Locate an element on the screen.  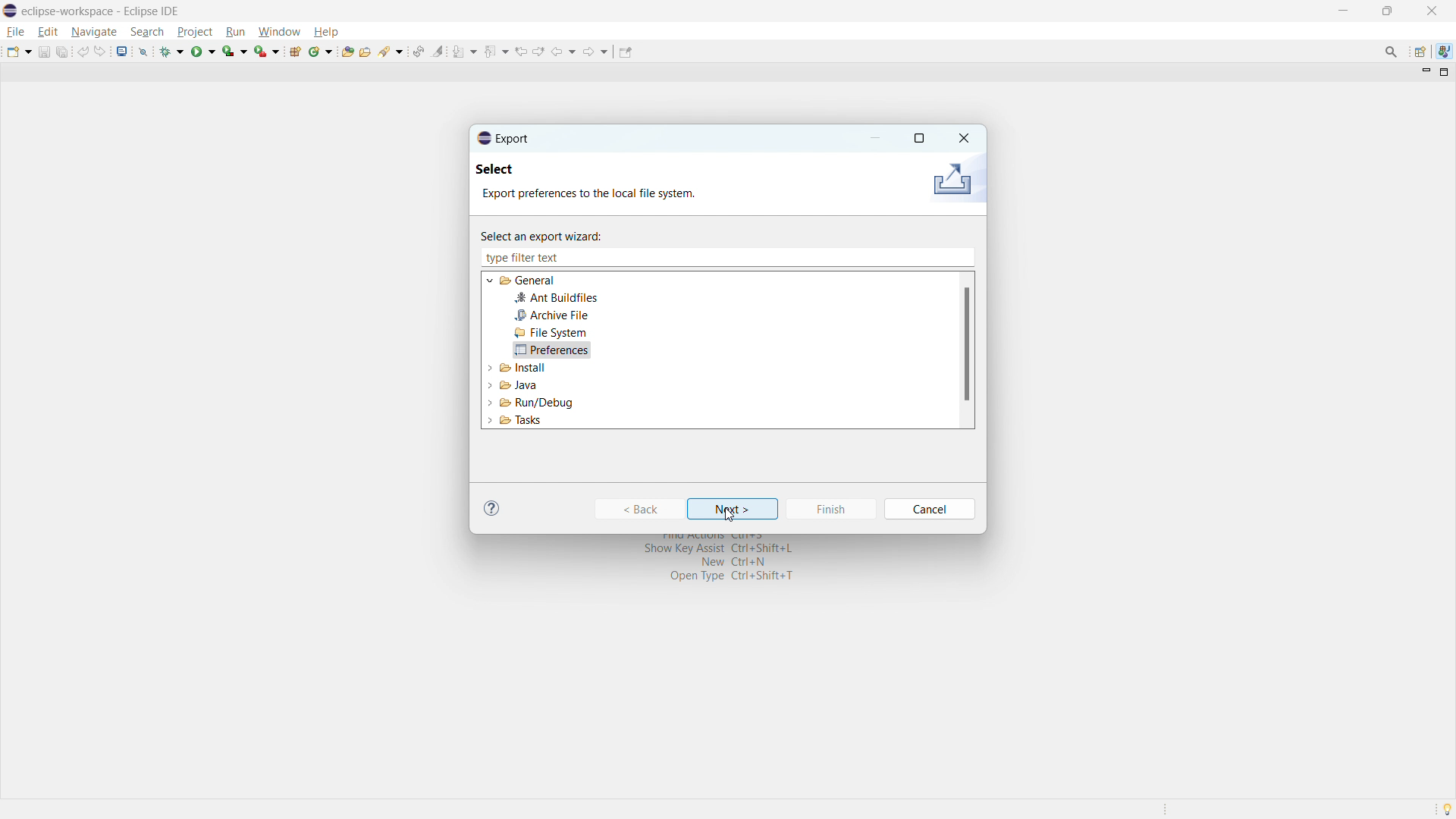
save is located at coordinates (43, 52).